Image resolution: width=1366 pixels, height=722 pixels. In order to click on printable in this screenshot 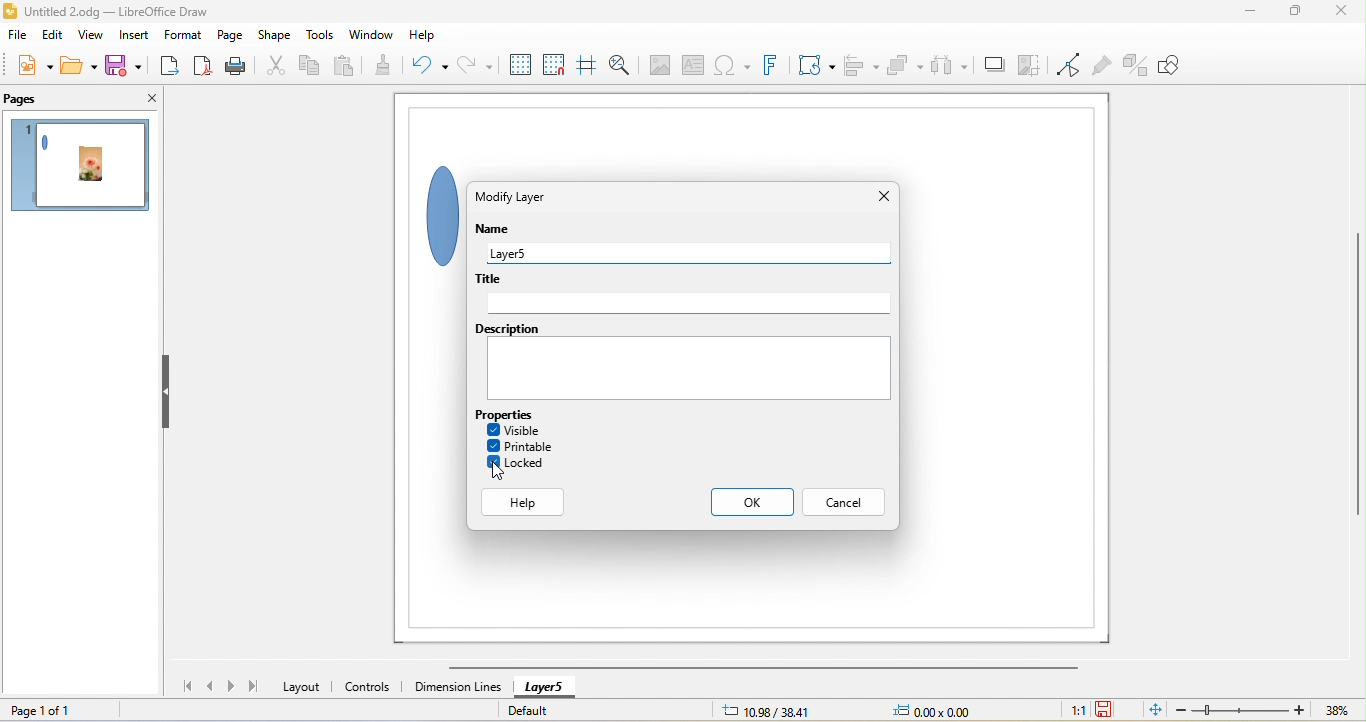, I will do `click(521, 446)`.